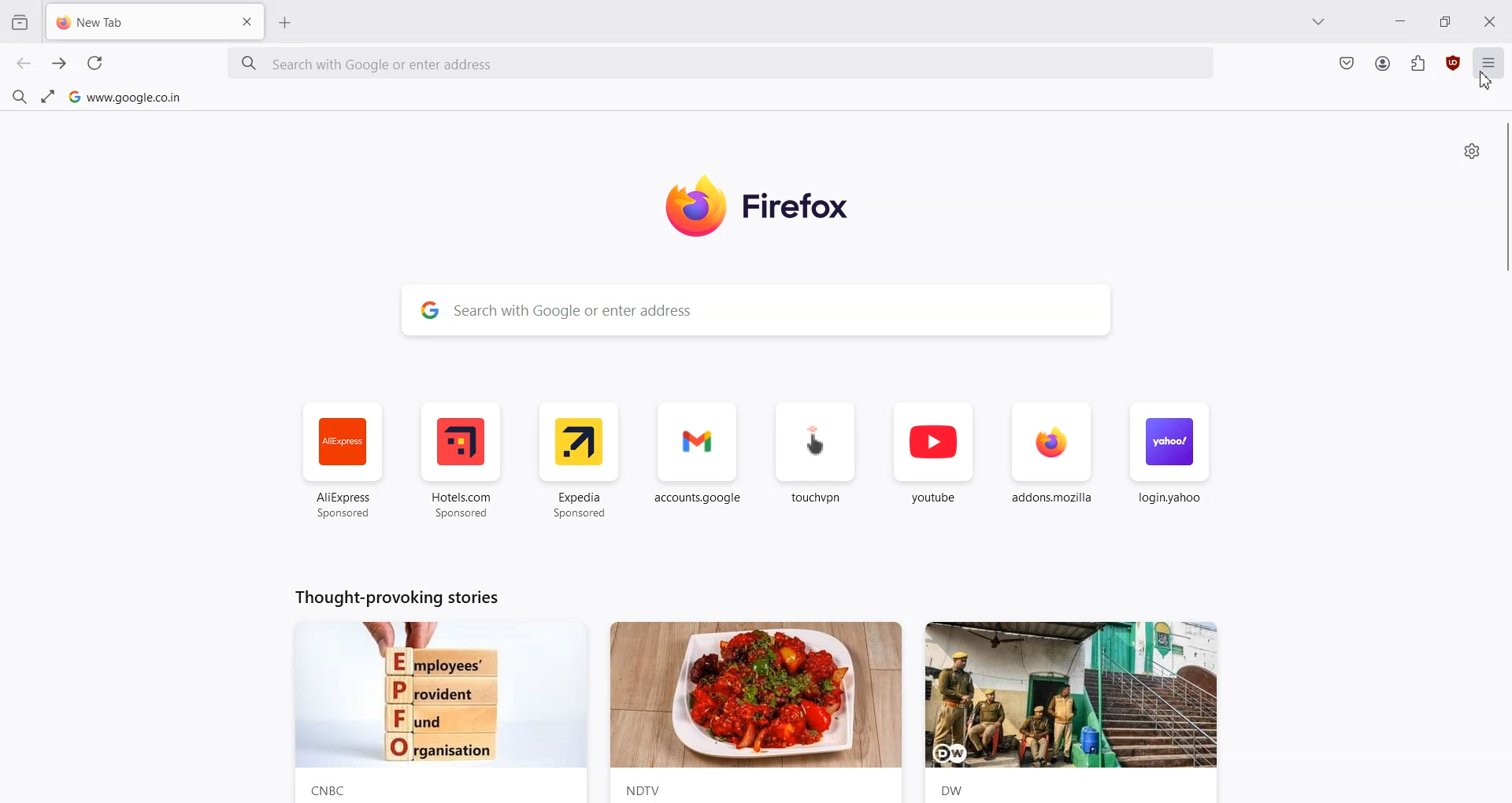  What do you see at coordinates (1347, 65) in the screenshot?
I see `Save to pocket` at bounding box center [1347, 65].